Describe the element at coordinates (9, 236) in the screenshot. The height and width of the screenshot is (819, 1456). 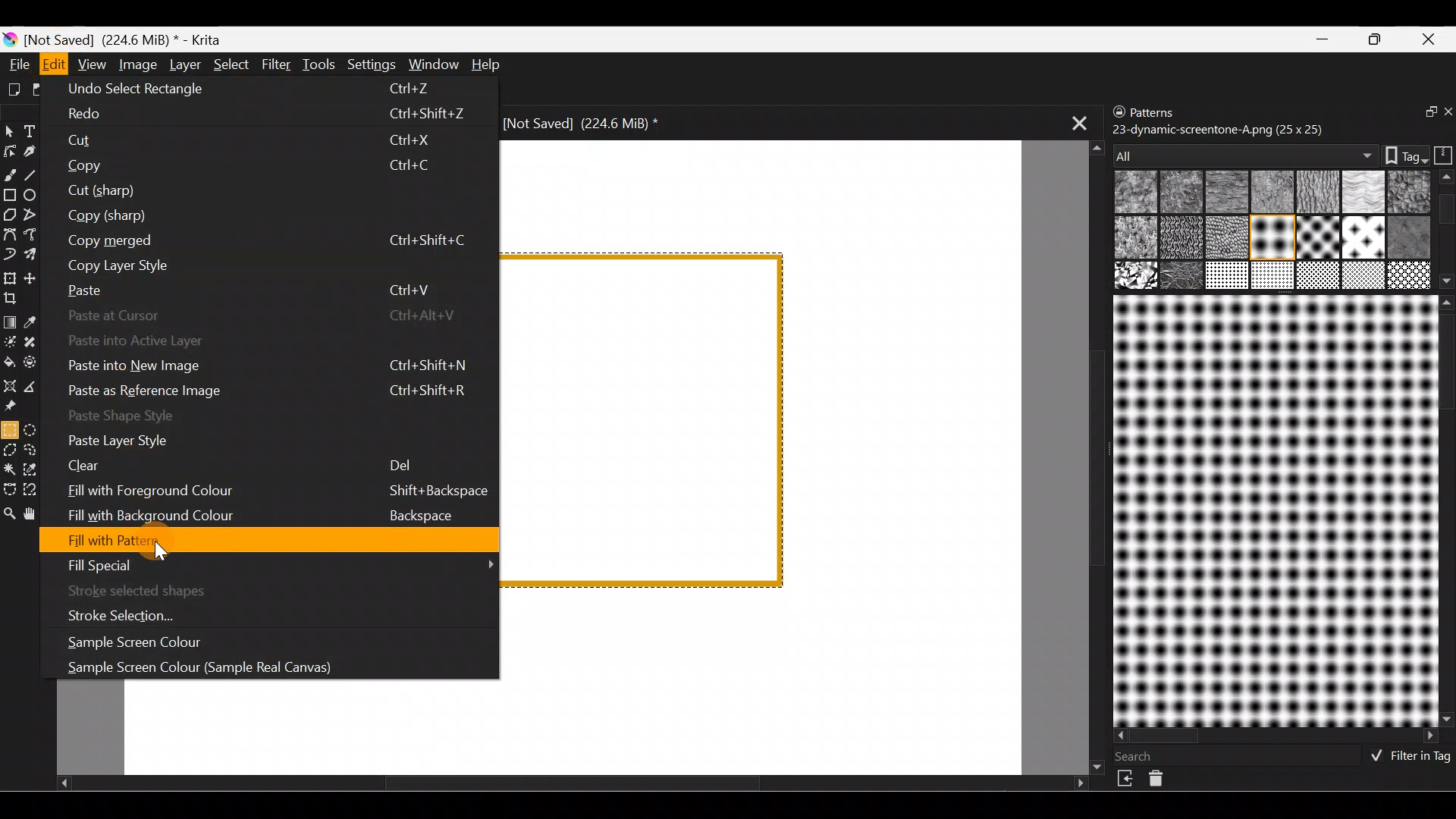
I see `Bezier curve tool` at that location.